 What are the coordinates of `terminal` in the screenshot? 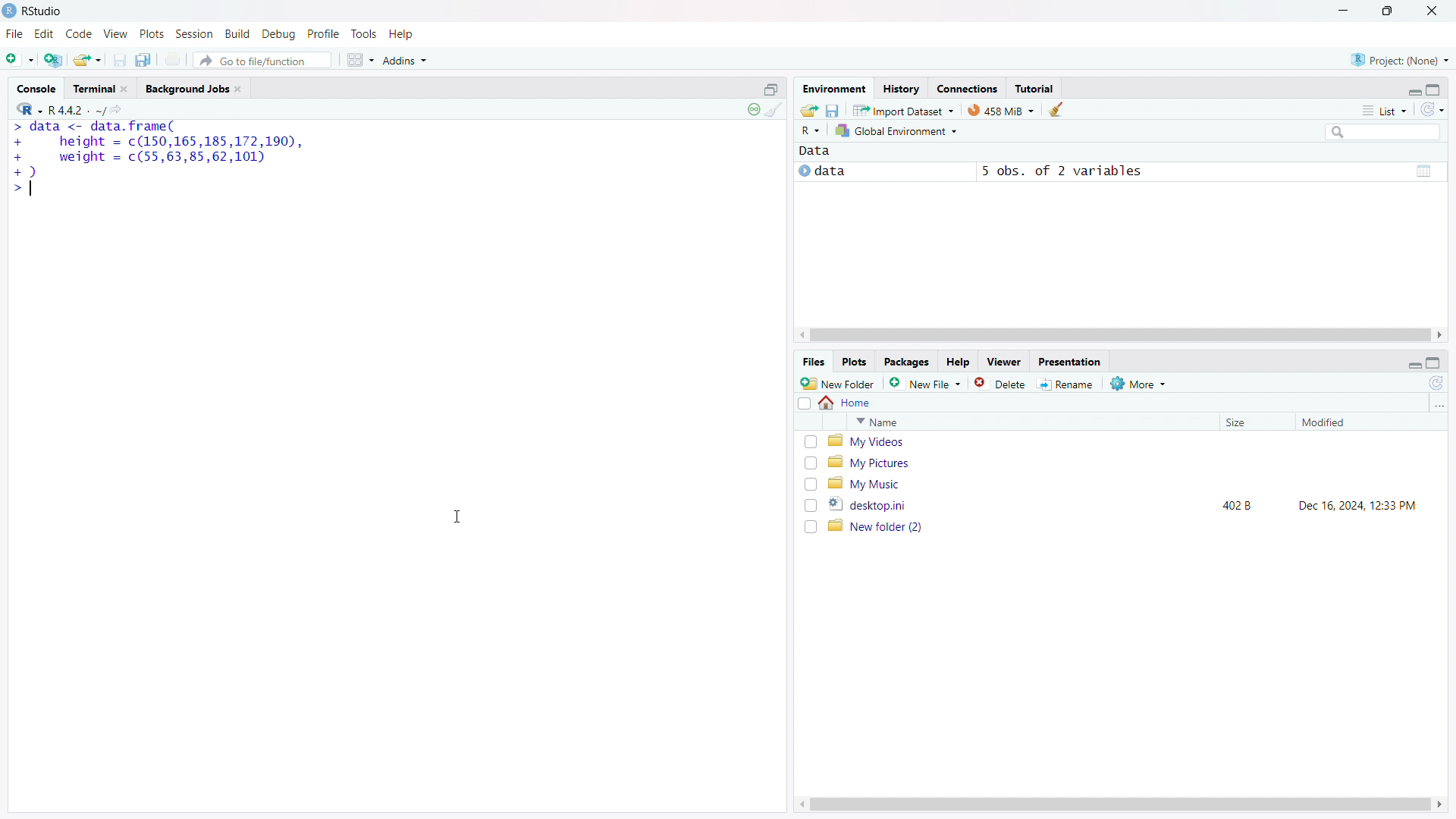 It's located at (93, 89).